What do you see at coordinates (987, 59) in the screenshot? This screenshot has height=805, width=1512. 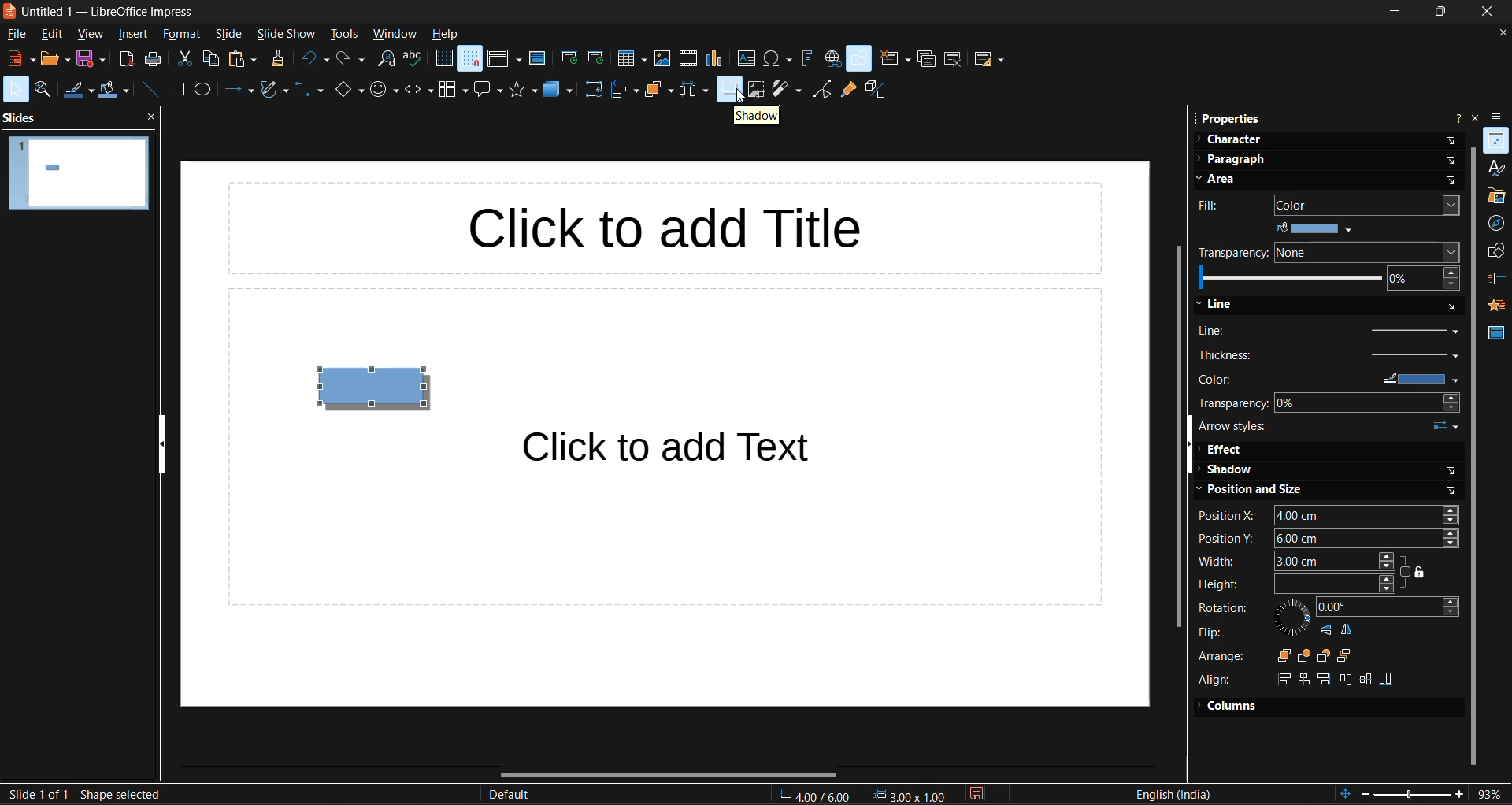 I see `slide layout` at bounding box center [987, 59].